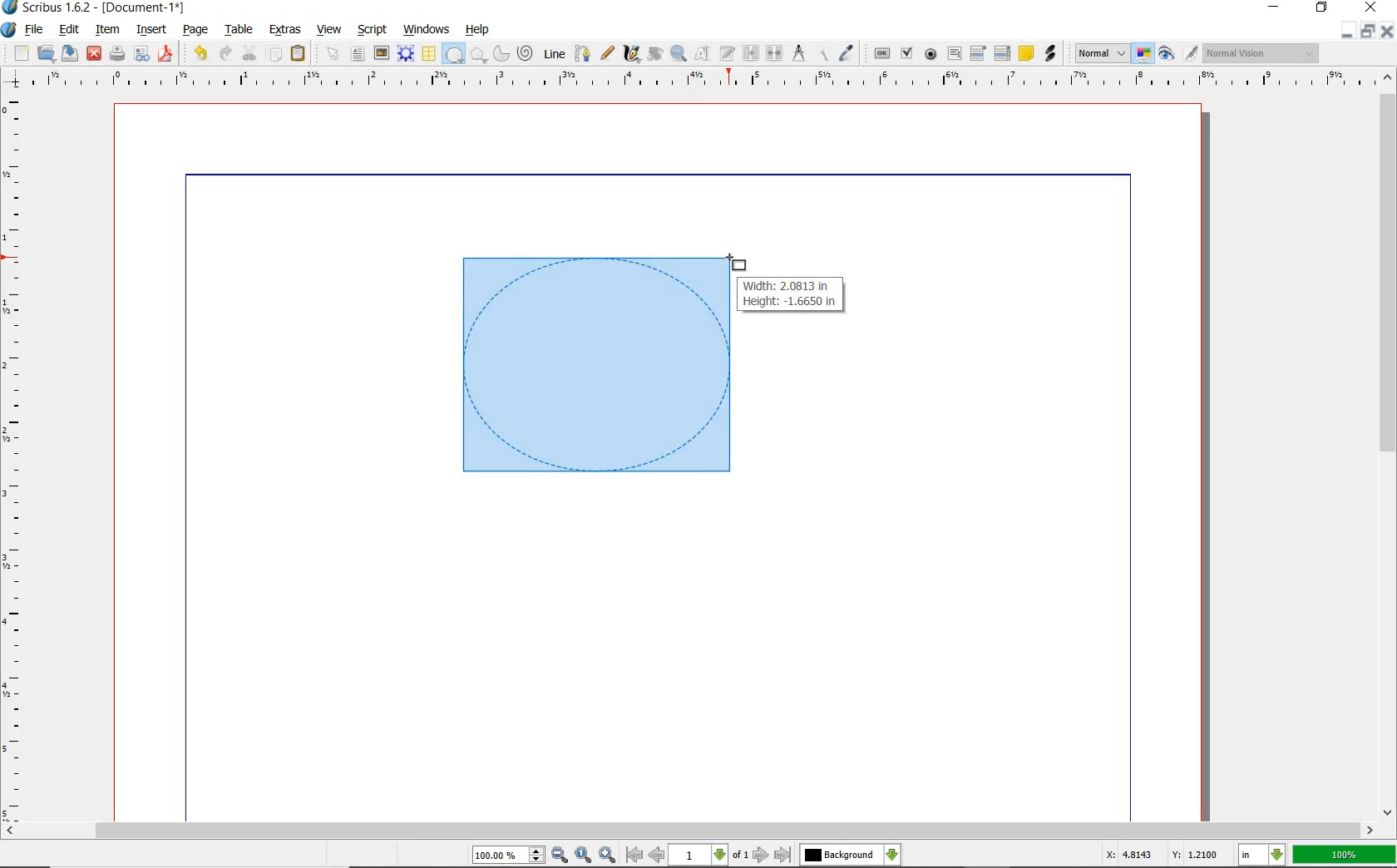 This screenshot has width=1397, height=868. I want to click on EDIT, so click(68, 31).